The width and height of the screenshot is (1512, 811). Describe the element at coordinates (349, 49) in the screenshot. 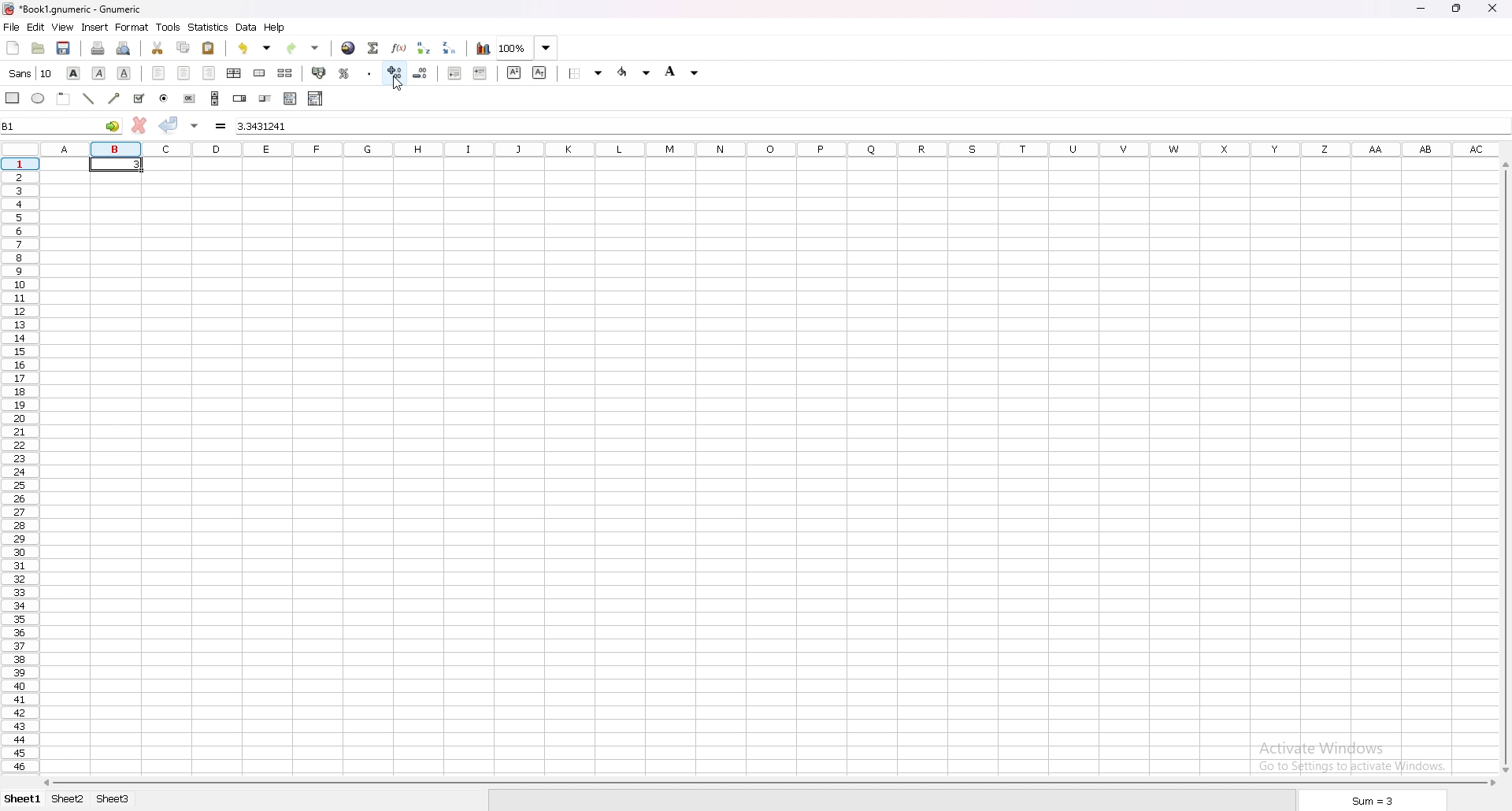

I see `hyperlink` at that location.